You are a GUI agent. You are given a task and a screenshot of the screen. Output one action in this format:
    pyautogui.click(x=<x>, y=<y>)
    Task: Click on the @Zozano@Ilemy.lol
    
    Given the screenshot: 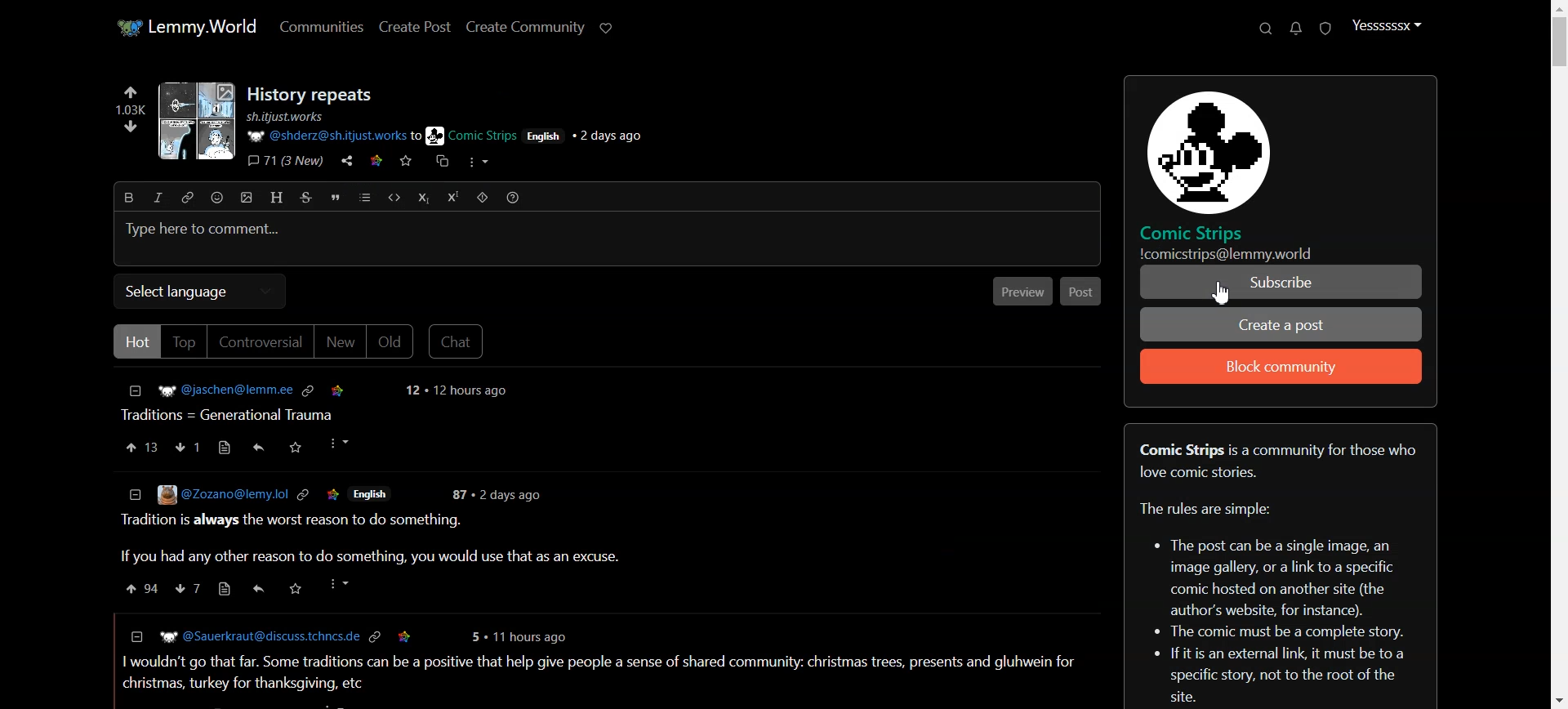 What is the action you would take?
    pyautogui.click(x=205, y=495)
    